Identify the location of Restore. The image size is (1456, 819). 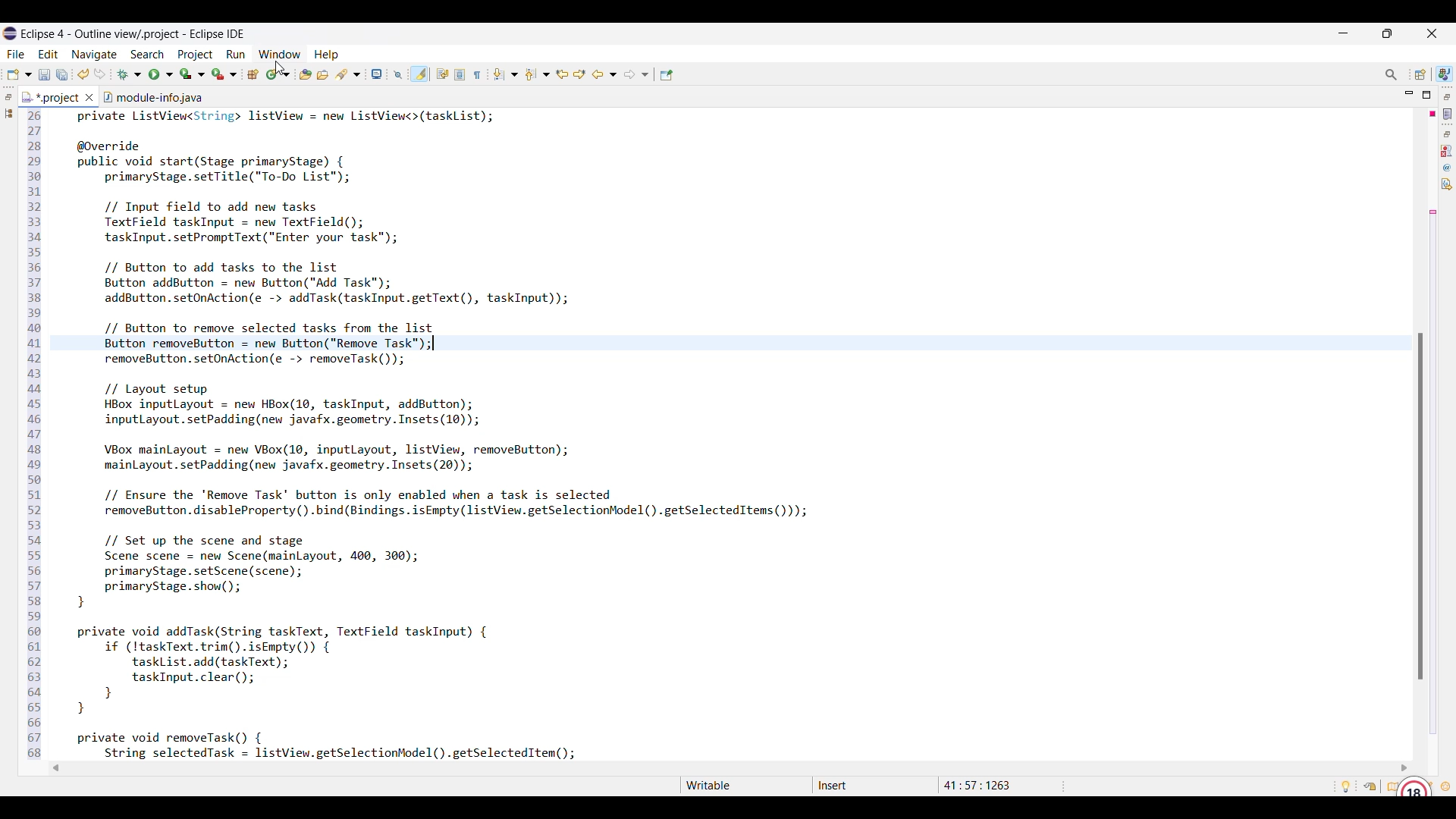
(1448, 96).